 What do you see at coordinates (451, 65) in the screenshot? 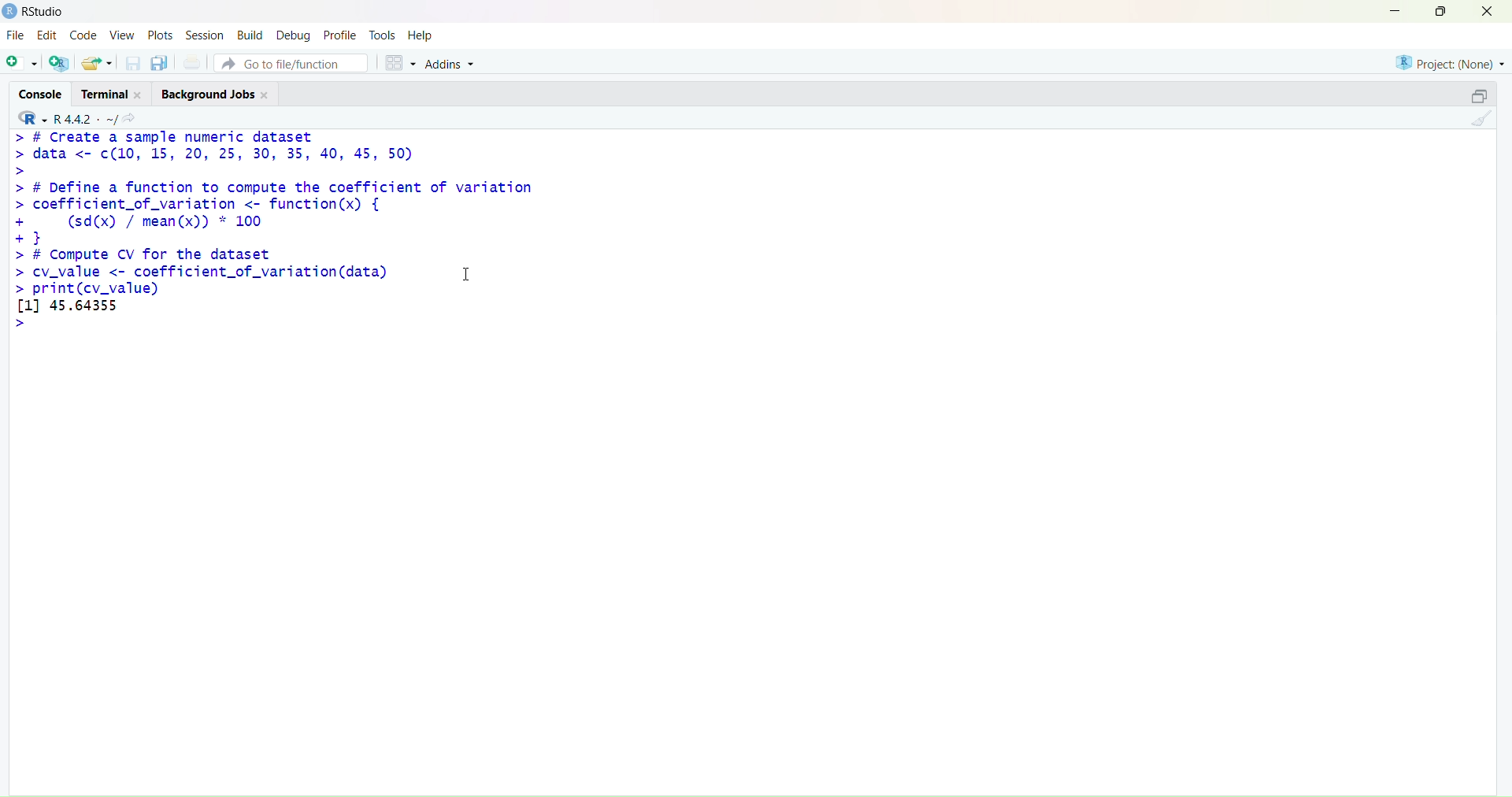
I see `Addins` at bounding box center [451, 65].